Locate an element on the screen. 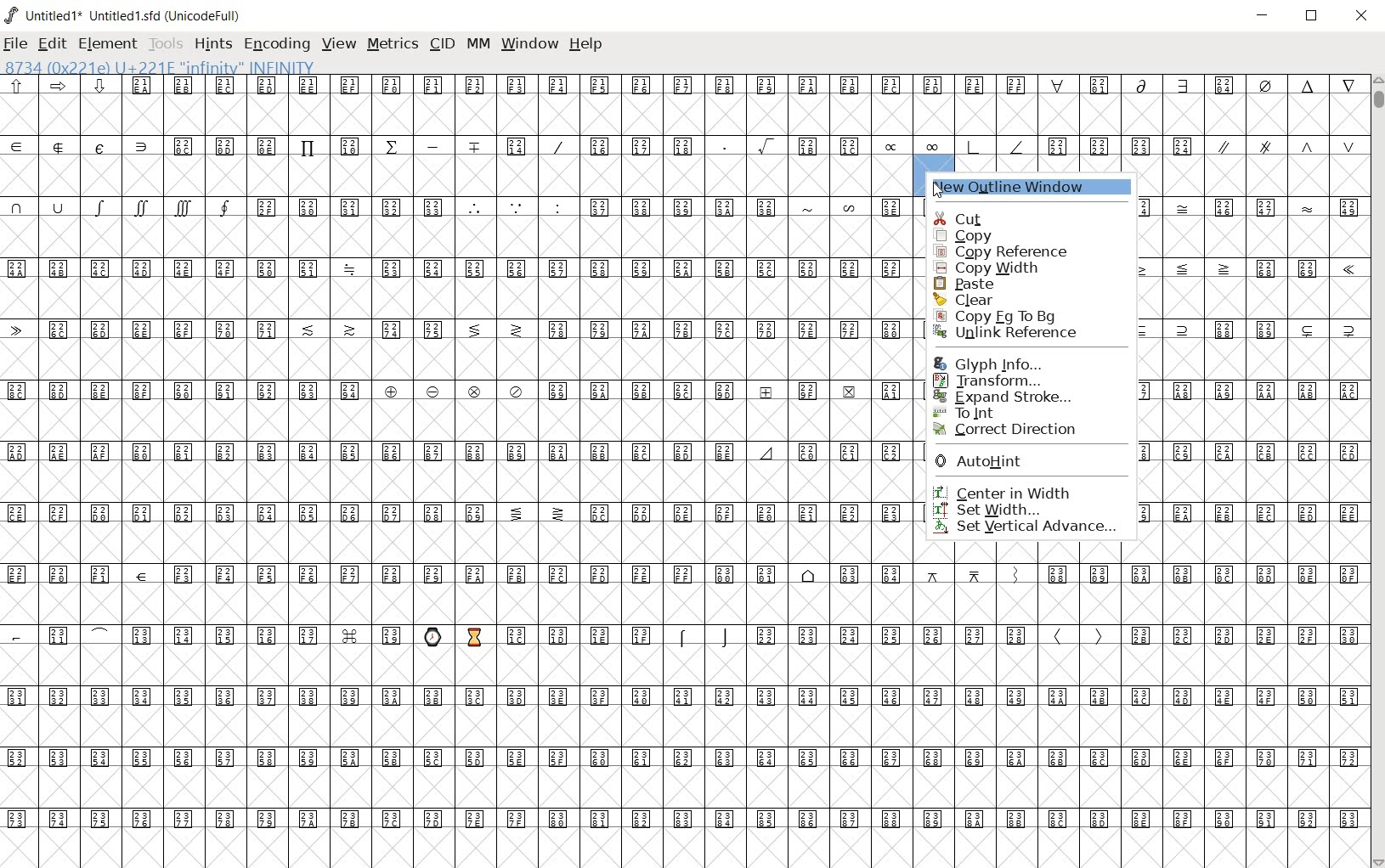  Unicode code points is located at coordinates (212, 634).